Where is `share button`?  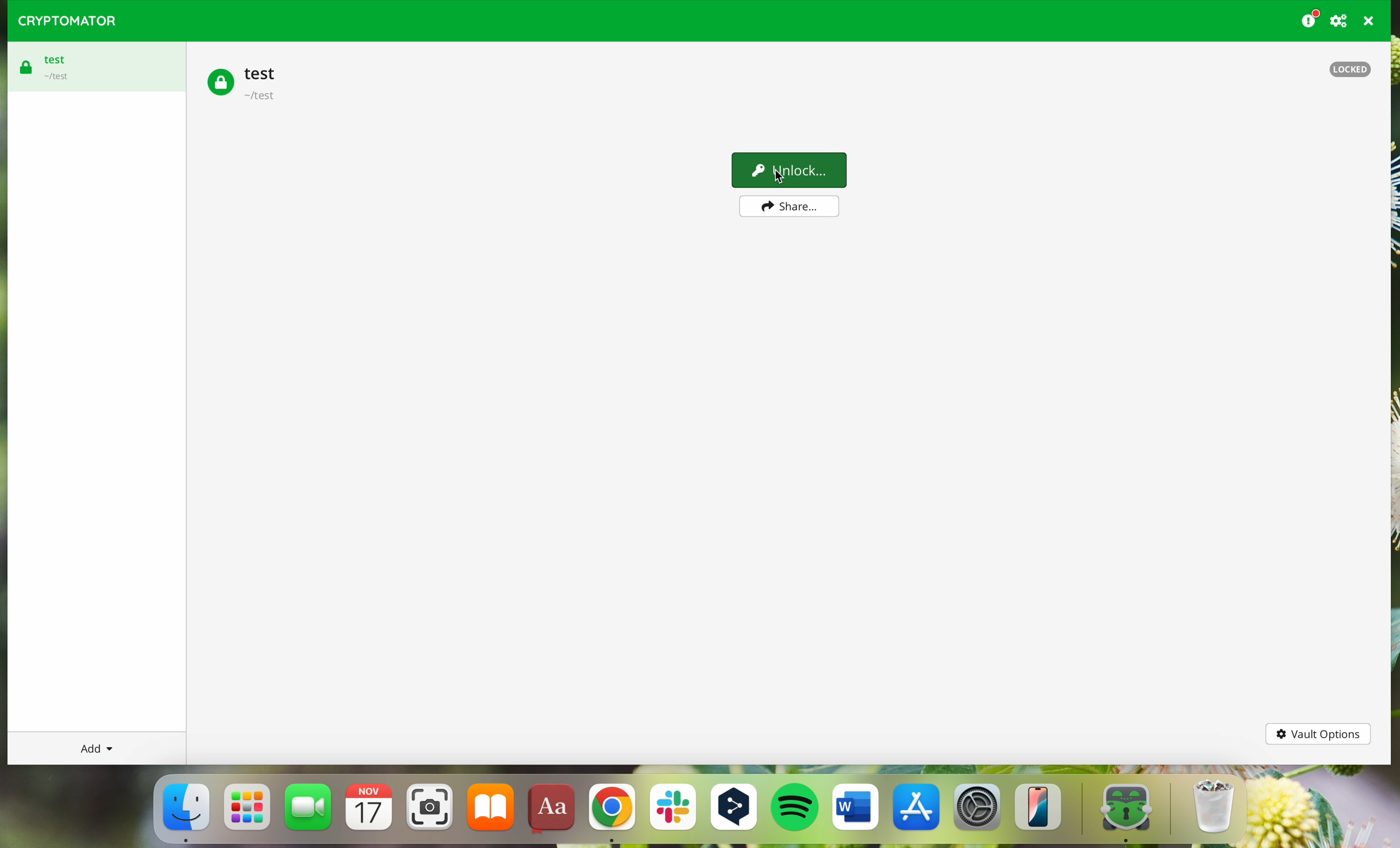 share button is located at coordinates (788, 207).